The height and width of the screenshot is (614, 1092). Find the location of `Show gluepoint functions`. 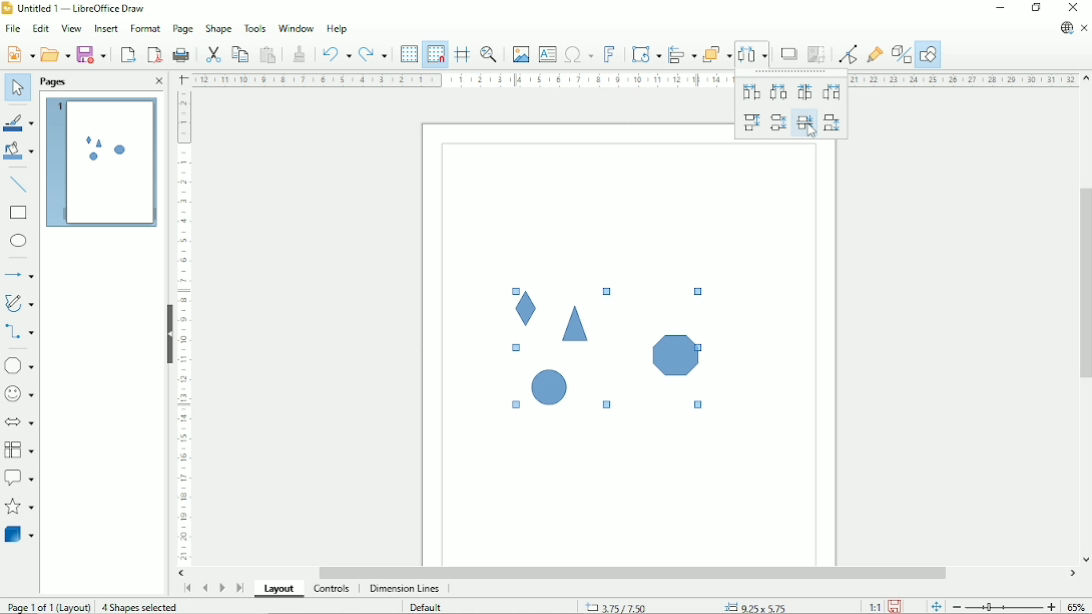

Show gluepoint functions is located at coordinates (874, 52).